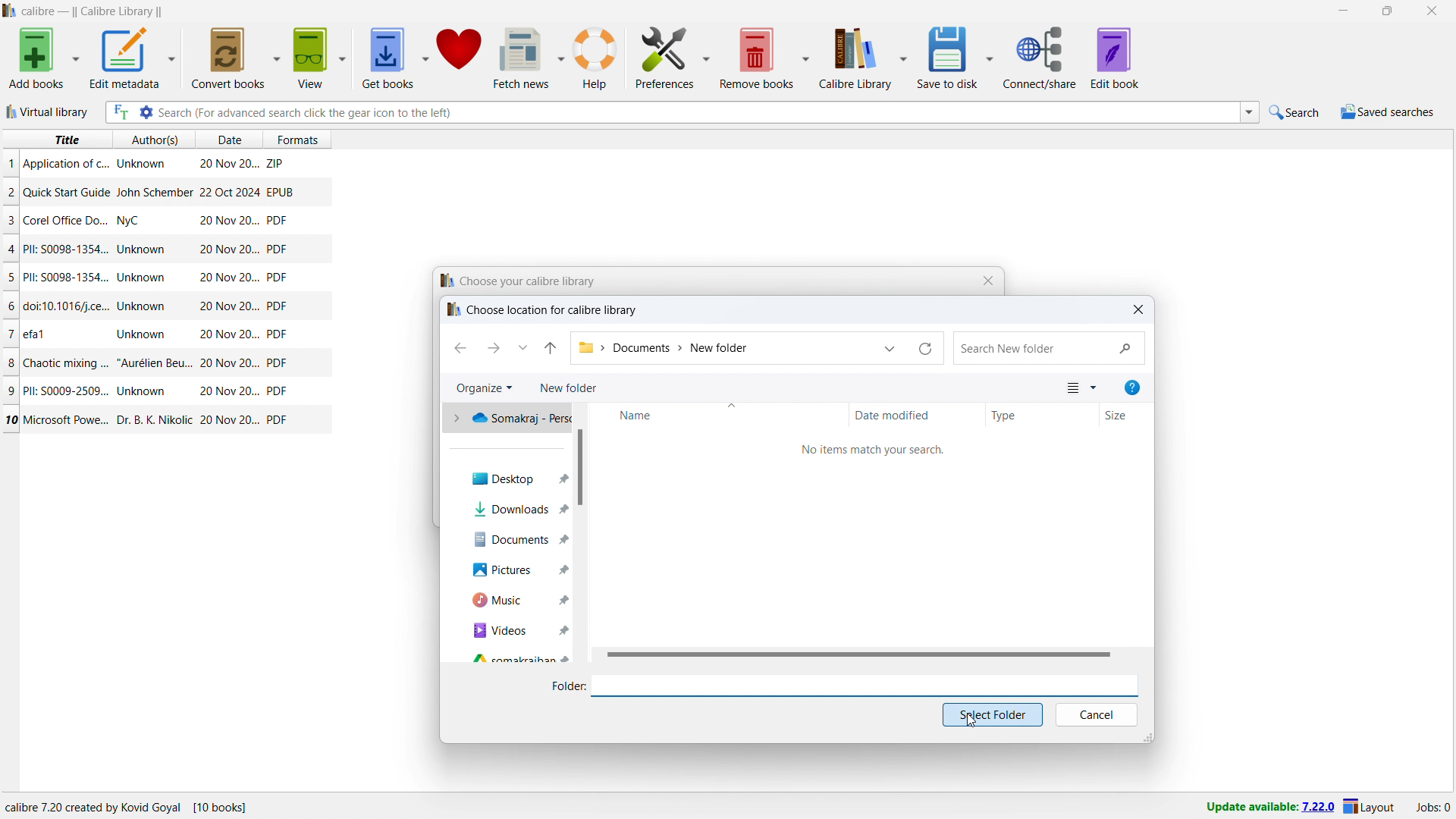 The width and height of the screenshot is (1456, 819). I want to click on edit metadata, so click(123, 58).